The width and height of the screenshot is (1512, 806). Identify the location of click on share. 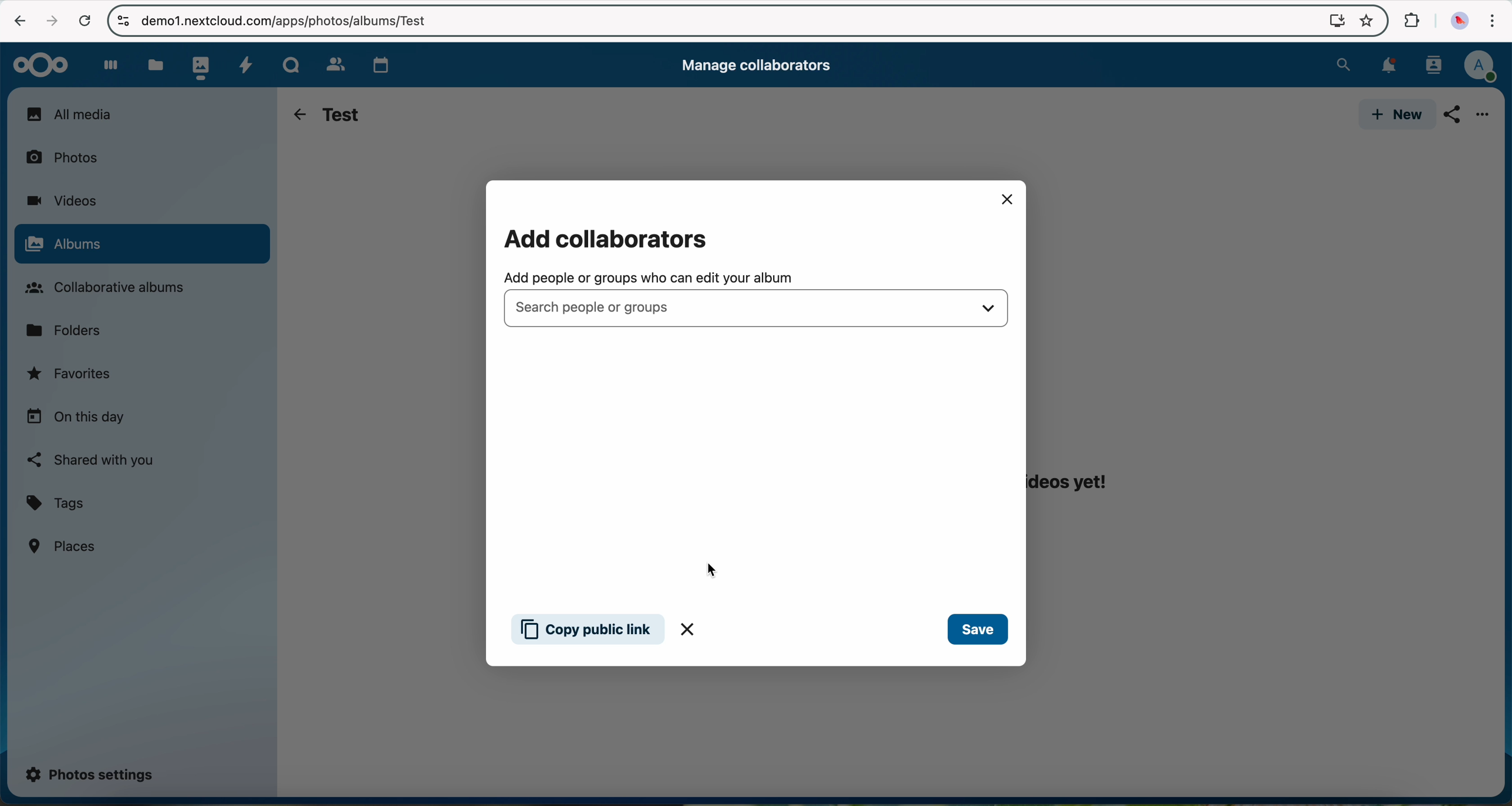
(1455, 118).